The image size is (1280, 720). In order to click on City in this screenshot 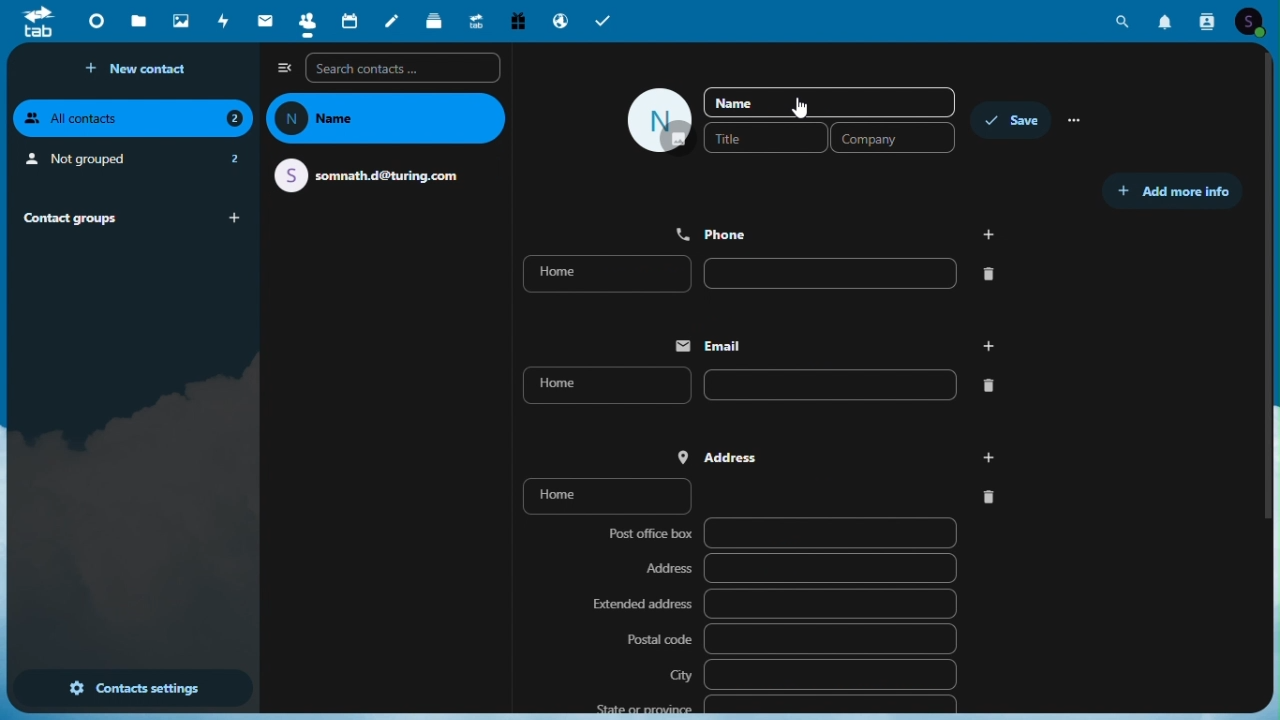, I will do `click(812, 674)`.